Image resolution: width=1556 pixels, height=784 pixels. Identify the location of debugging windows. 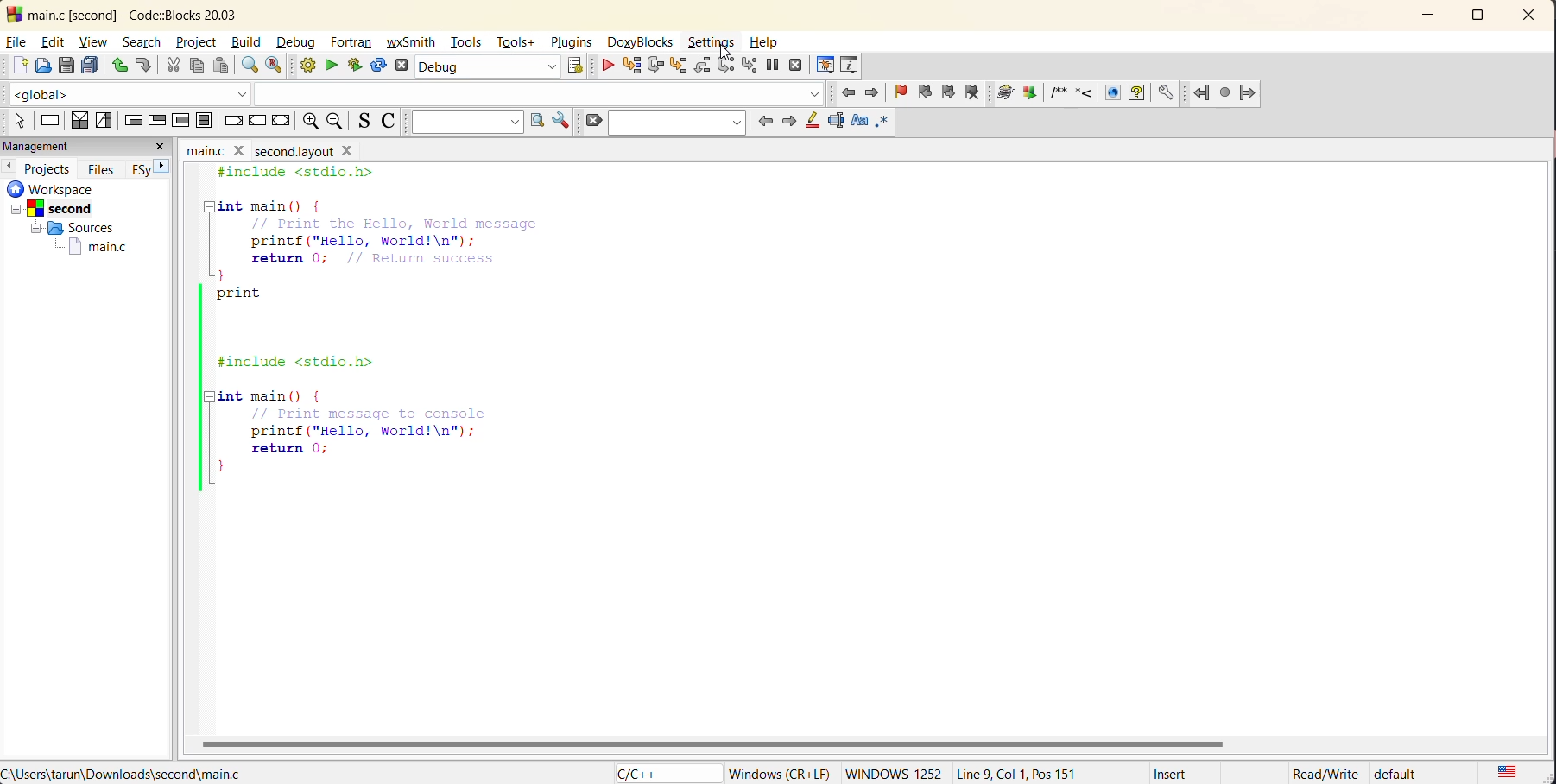
(824, 66).